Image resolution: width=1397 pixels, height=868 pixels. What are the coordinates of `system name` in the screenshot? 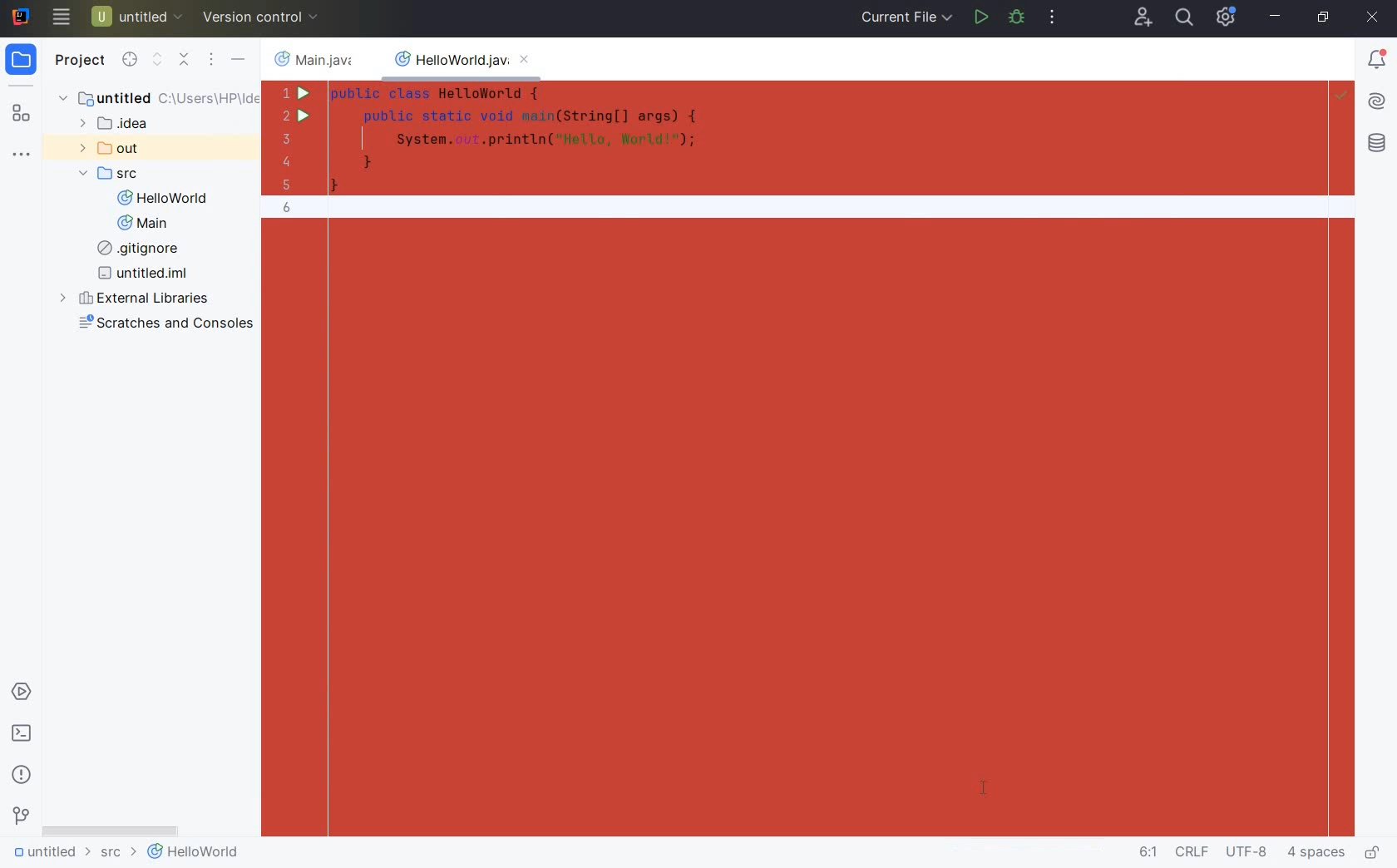 It's located at (18, 16).